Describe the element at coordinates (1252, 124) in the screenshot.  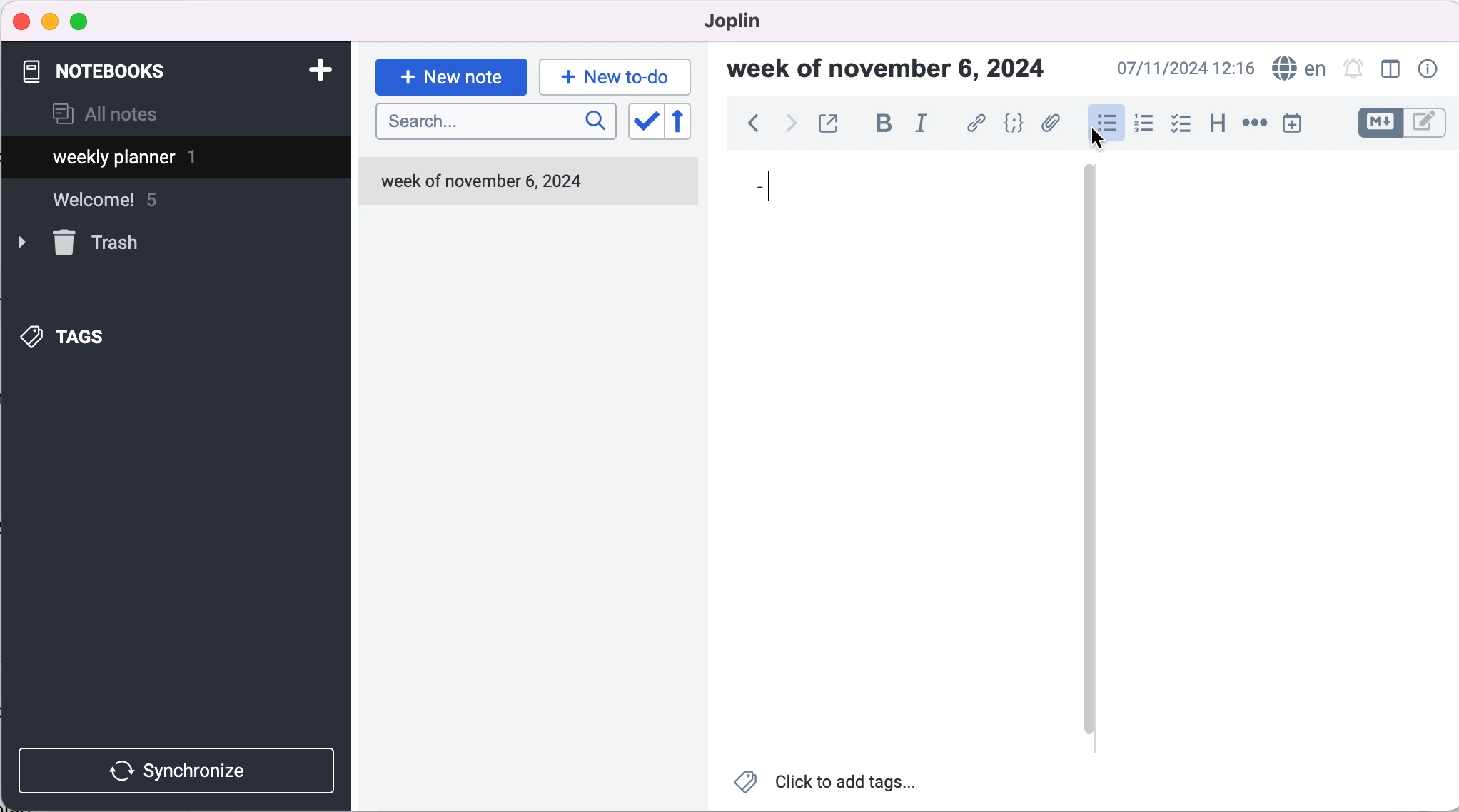
I see `horizontal rules` at that location.